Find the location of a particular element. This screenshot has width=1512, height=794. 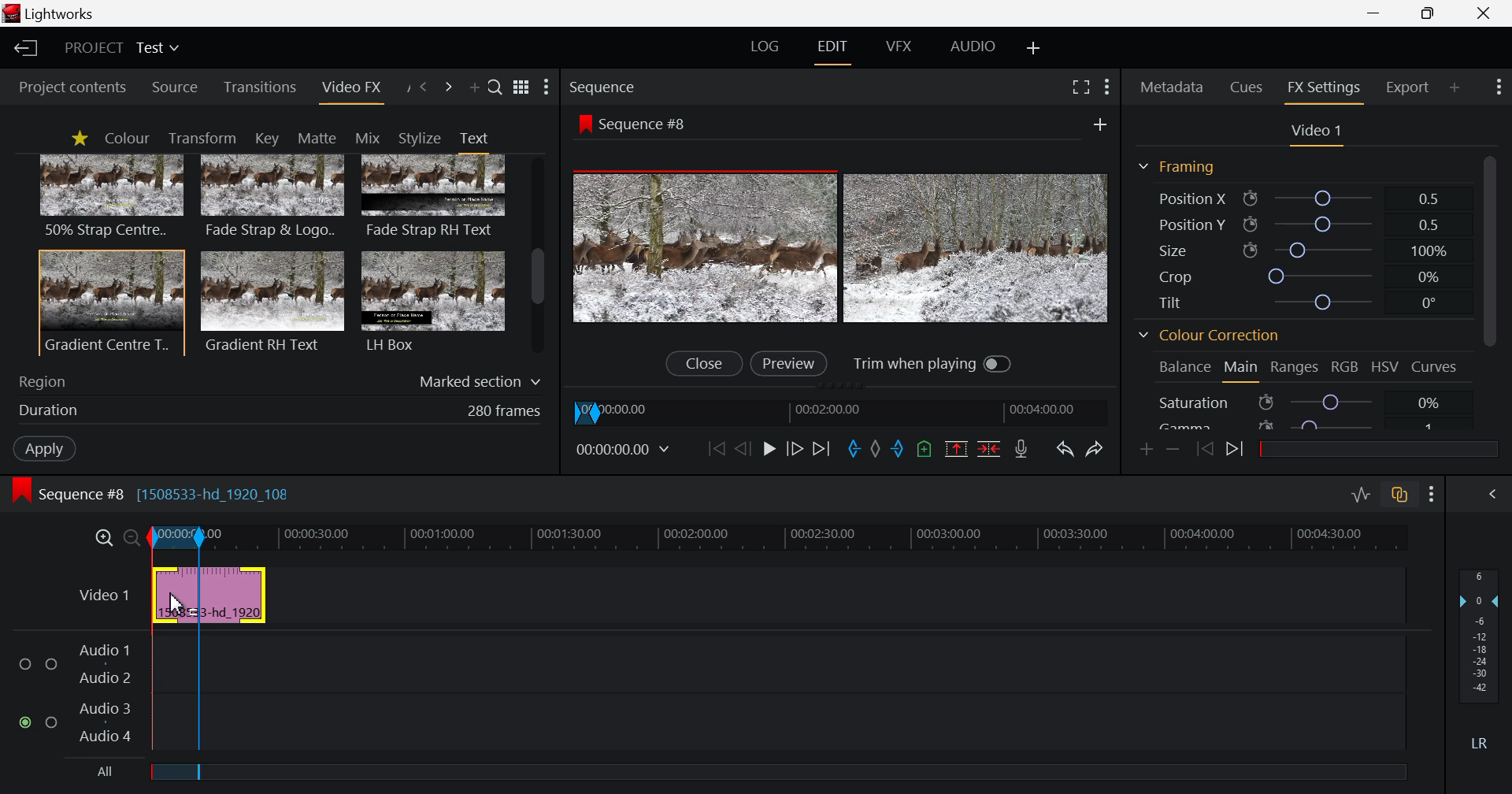

Metadata is located at coordinates (1173, 84).